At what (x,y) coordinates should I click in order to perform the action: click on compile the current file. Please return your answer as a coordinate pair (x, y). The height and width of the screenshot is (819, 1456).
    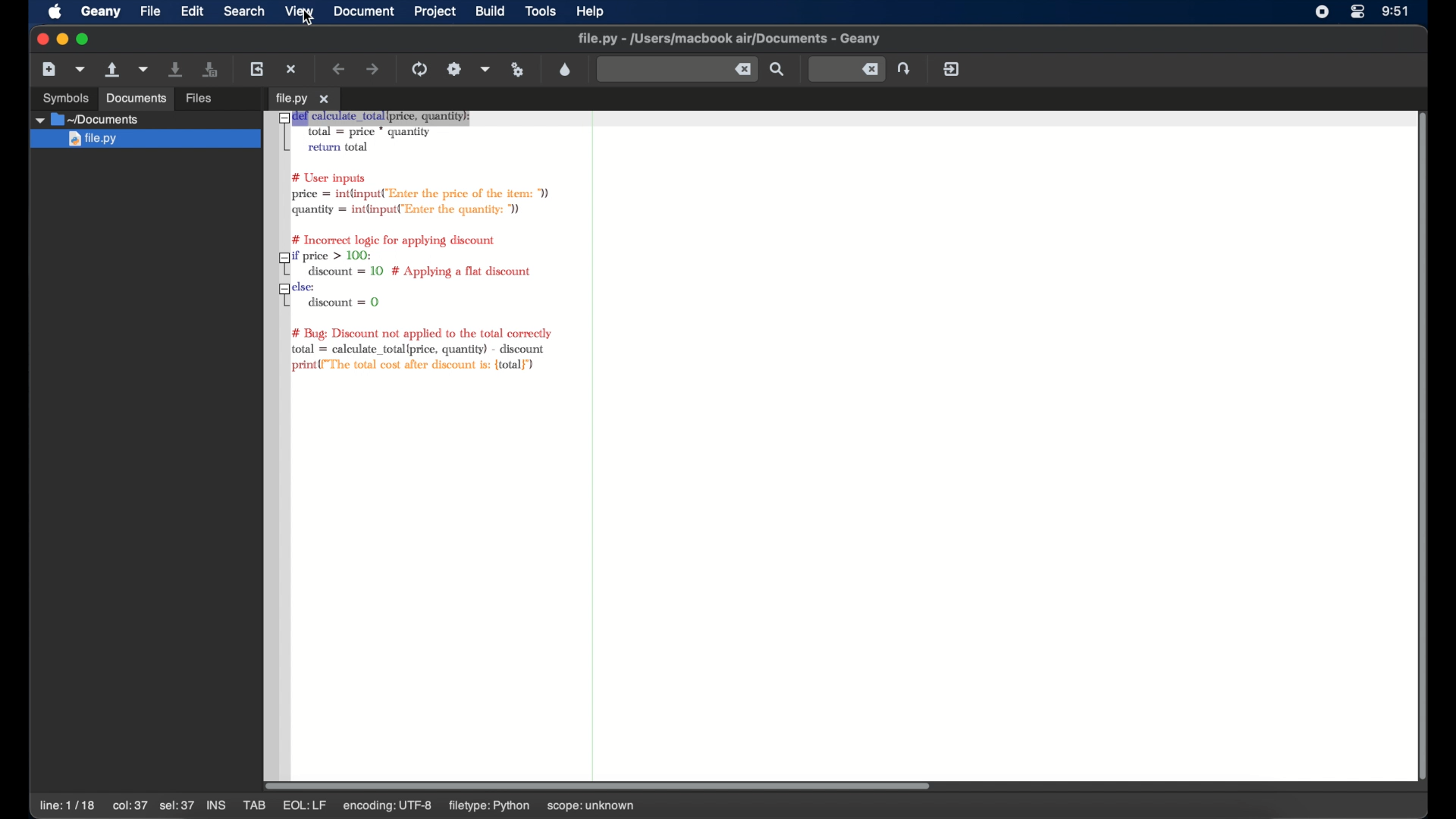
    Looking at the image, I should click on (419, 69).